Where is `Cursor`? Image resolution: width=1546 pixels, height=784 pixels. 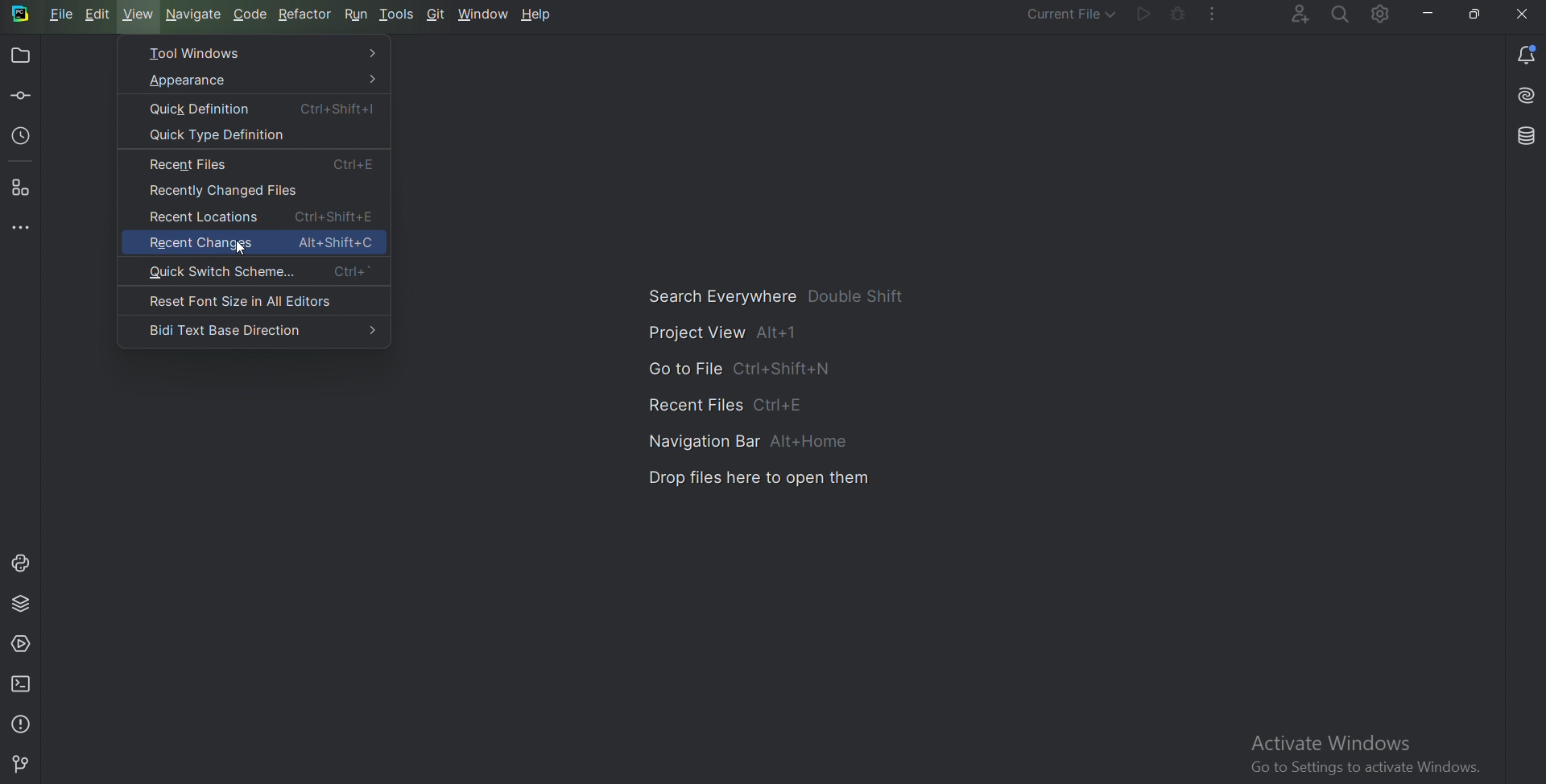 Cursor is located at coordinates (243, 250).